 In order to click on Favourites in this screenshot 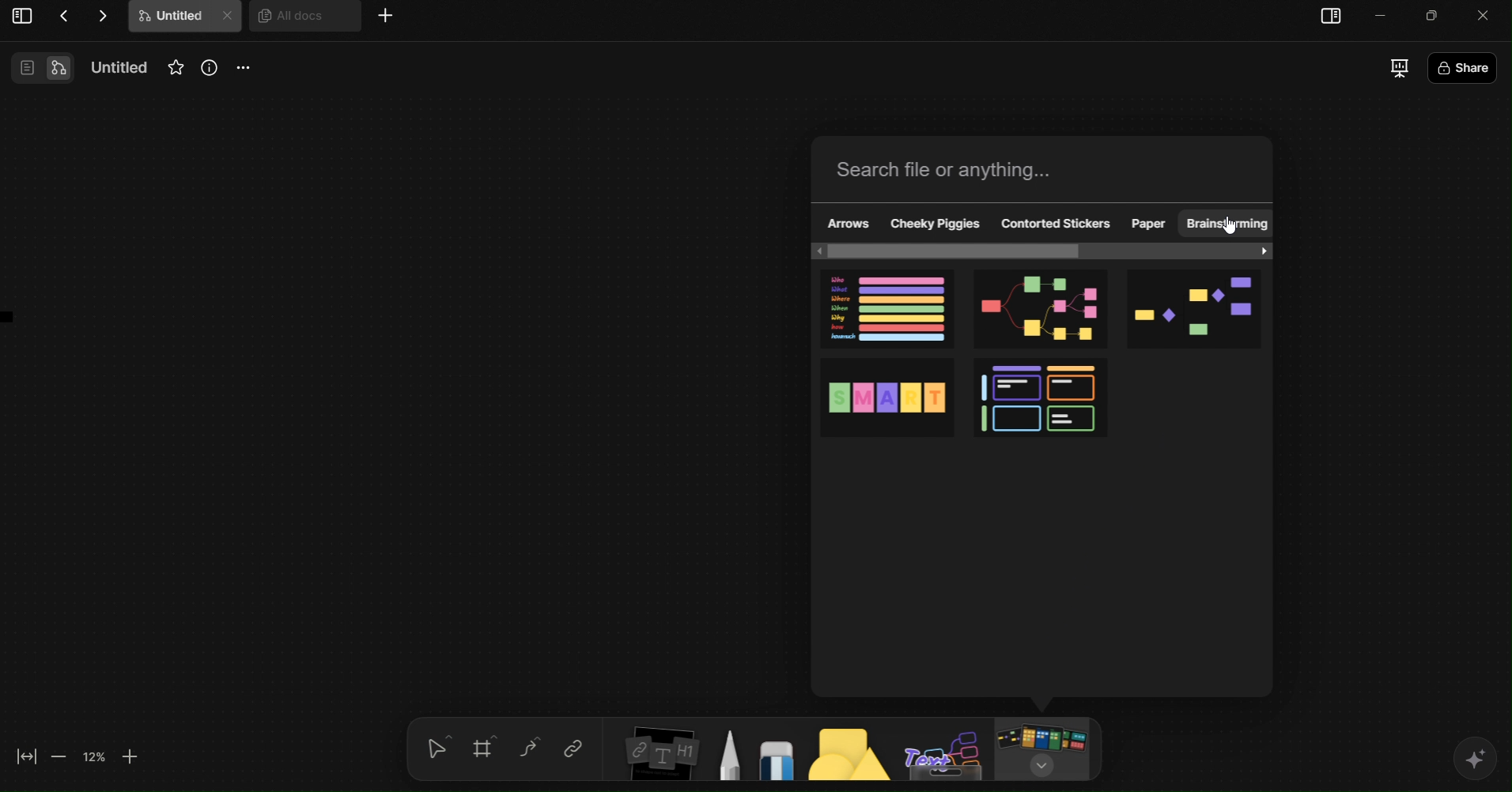, I will do `click(175, 66)`.